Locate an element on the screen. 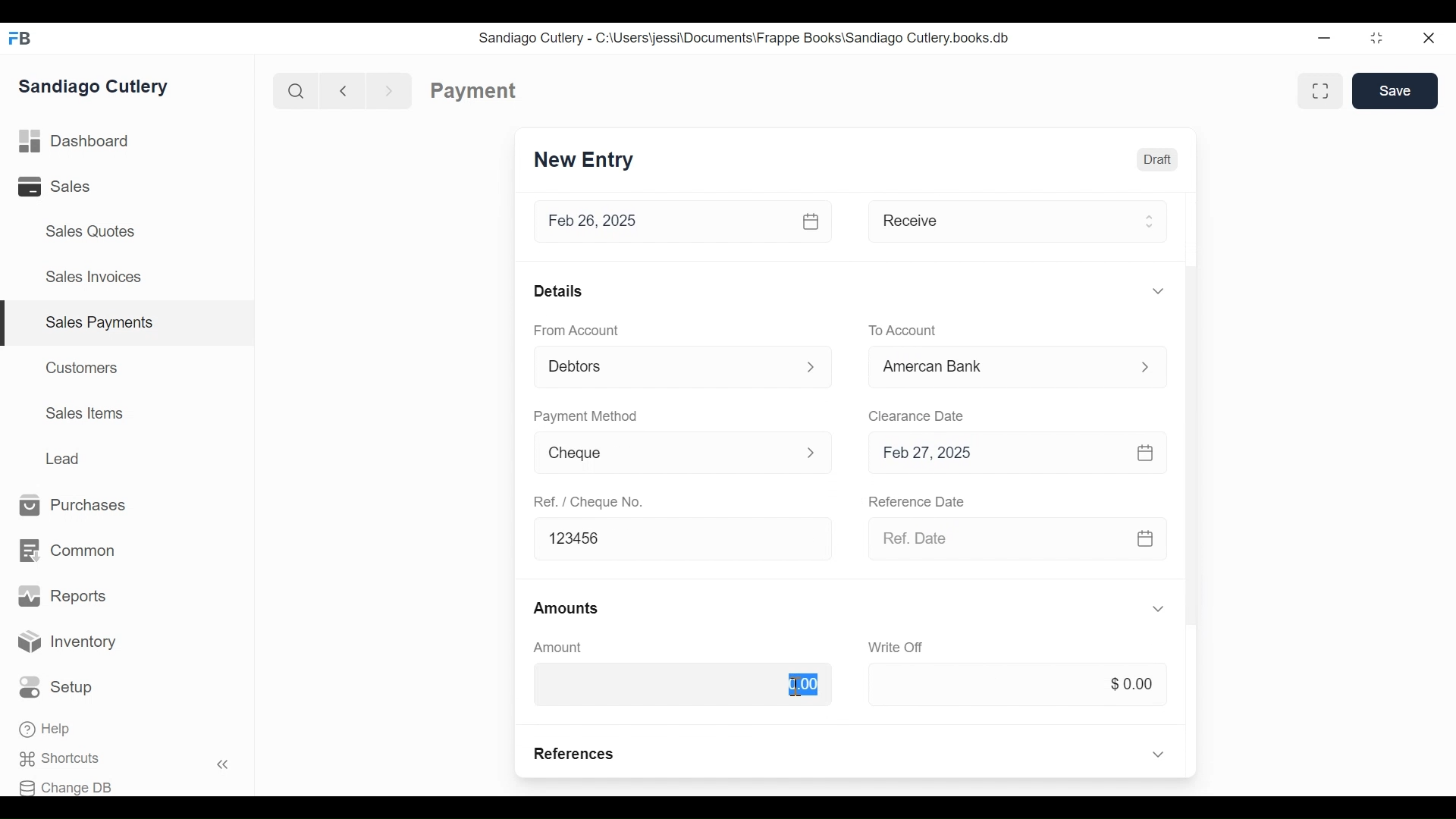 This screenshot has height=819, width=1456. Calendar is located at coordinates (1147, 452).